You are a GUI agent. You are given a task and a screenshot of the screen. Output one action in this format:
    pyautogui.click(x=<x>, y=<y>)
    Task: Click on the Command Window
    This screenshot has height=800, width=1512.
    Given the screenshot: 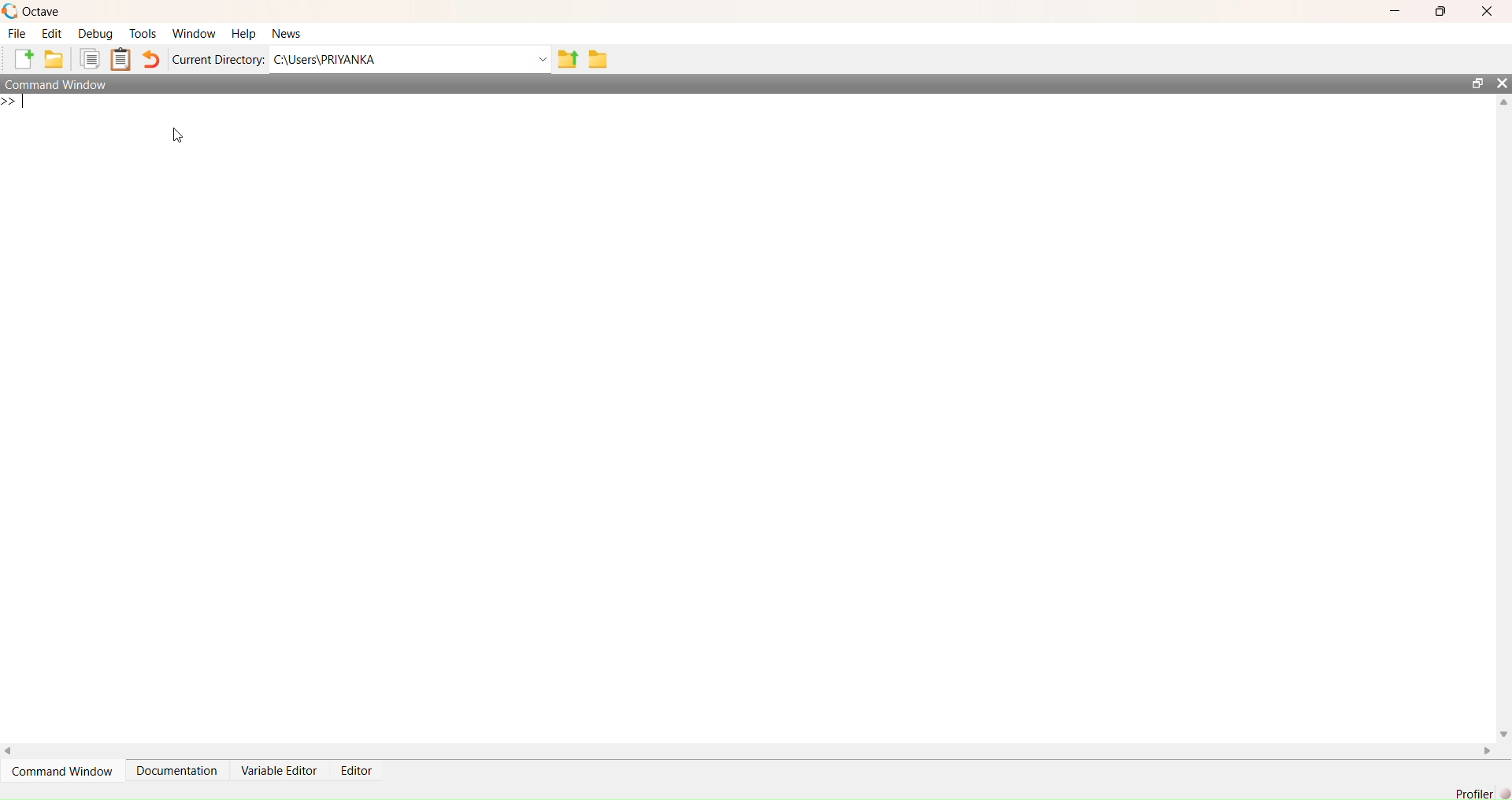 What is the action you would take?
    pyautogui.click(x=66, y=772)
    